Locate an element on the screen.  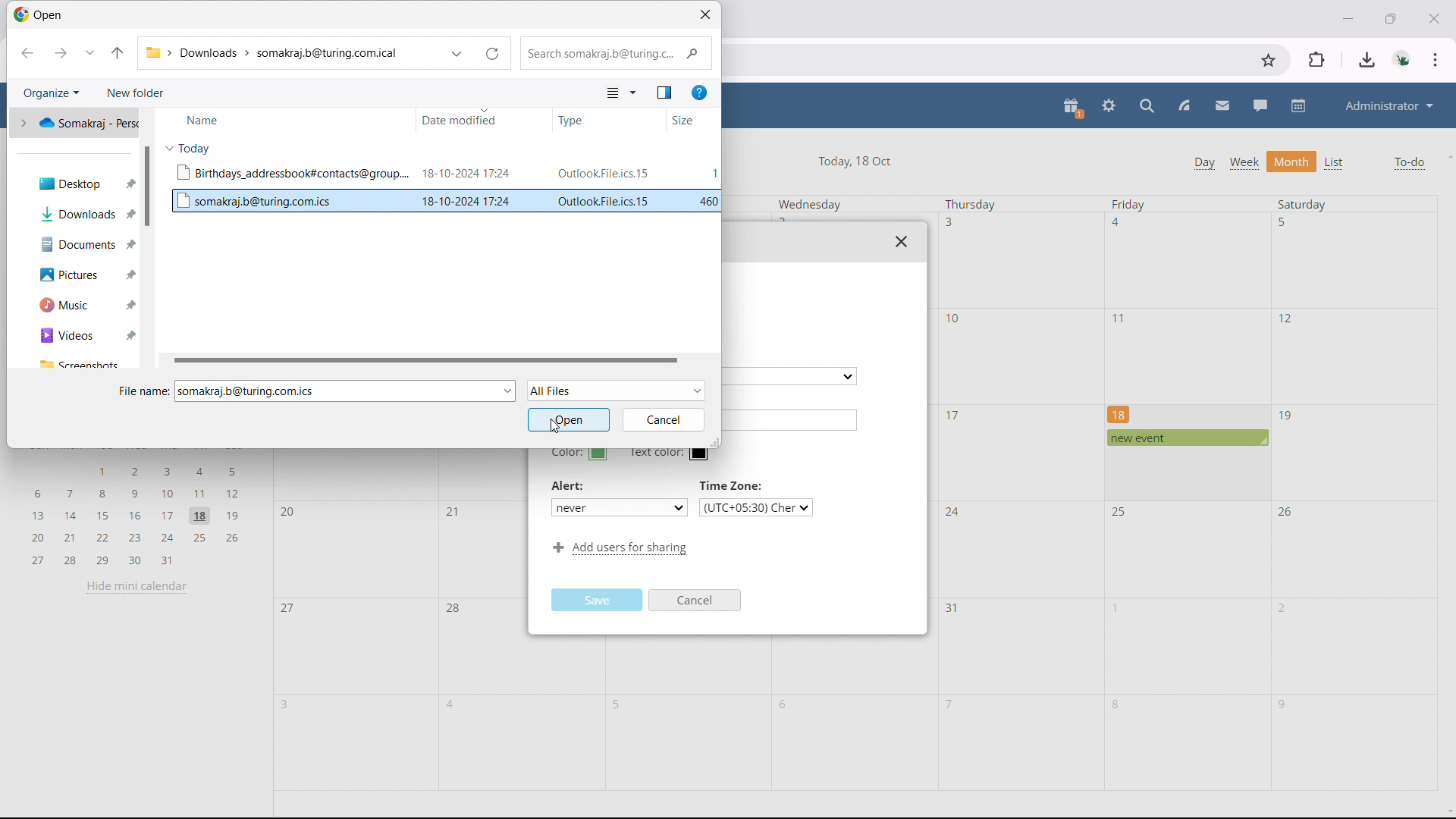
Desktop is located at coordinates (77, 180).